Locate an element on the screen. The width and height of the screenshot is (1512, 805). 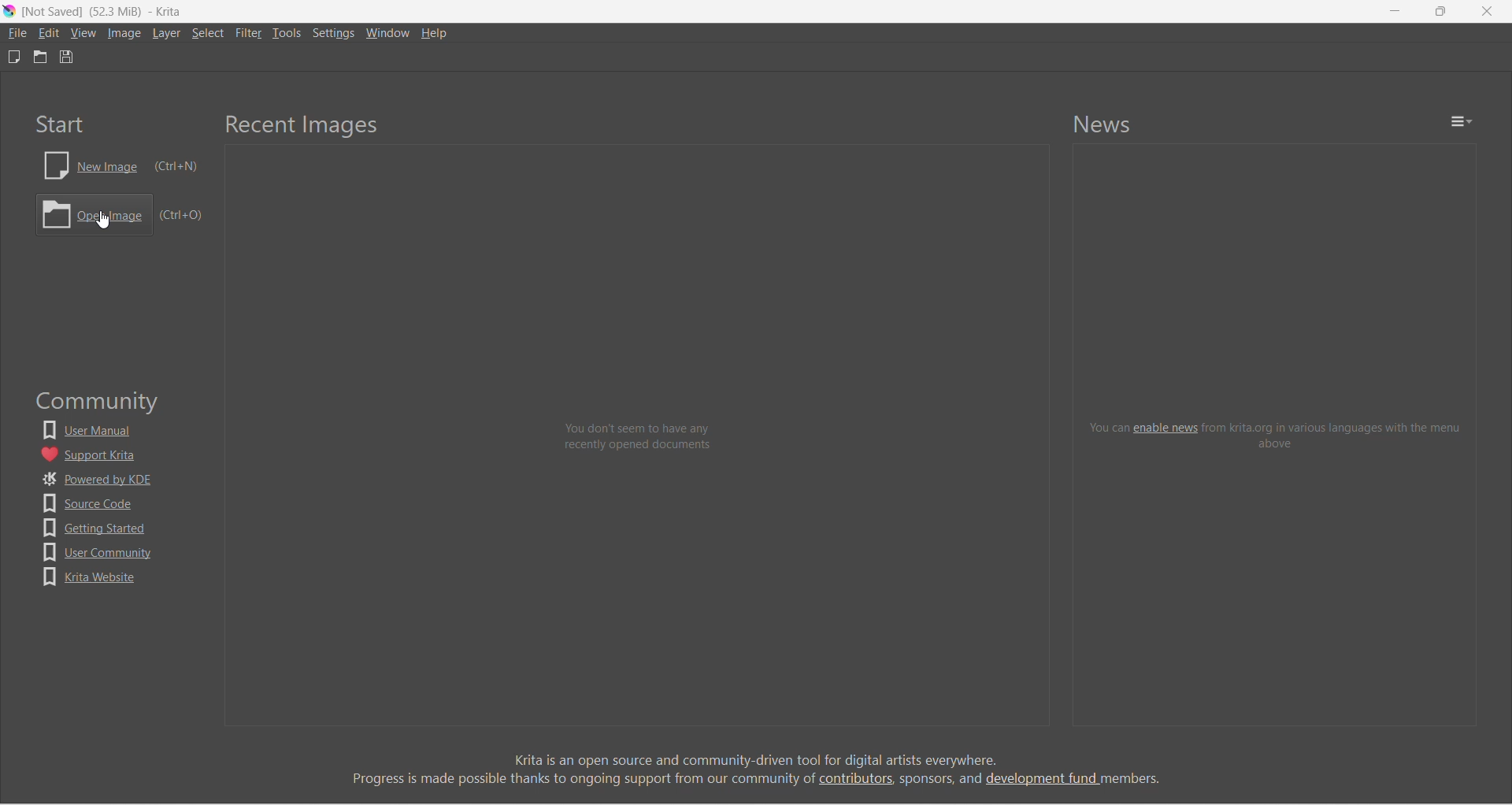
save is located at coordinates (67, 57).